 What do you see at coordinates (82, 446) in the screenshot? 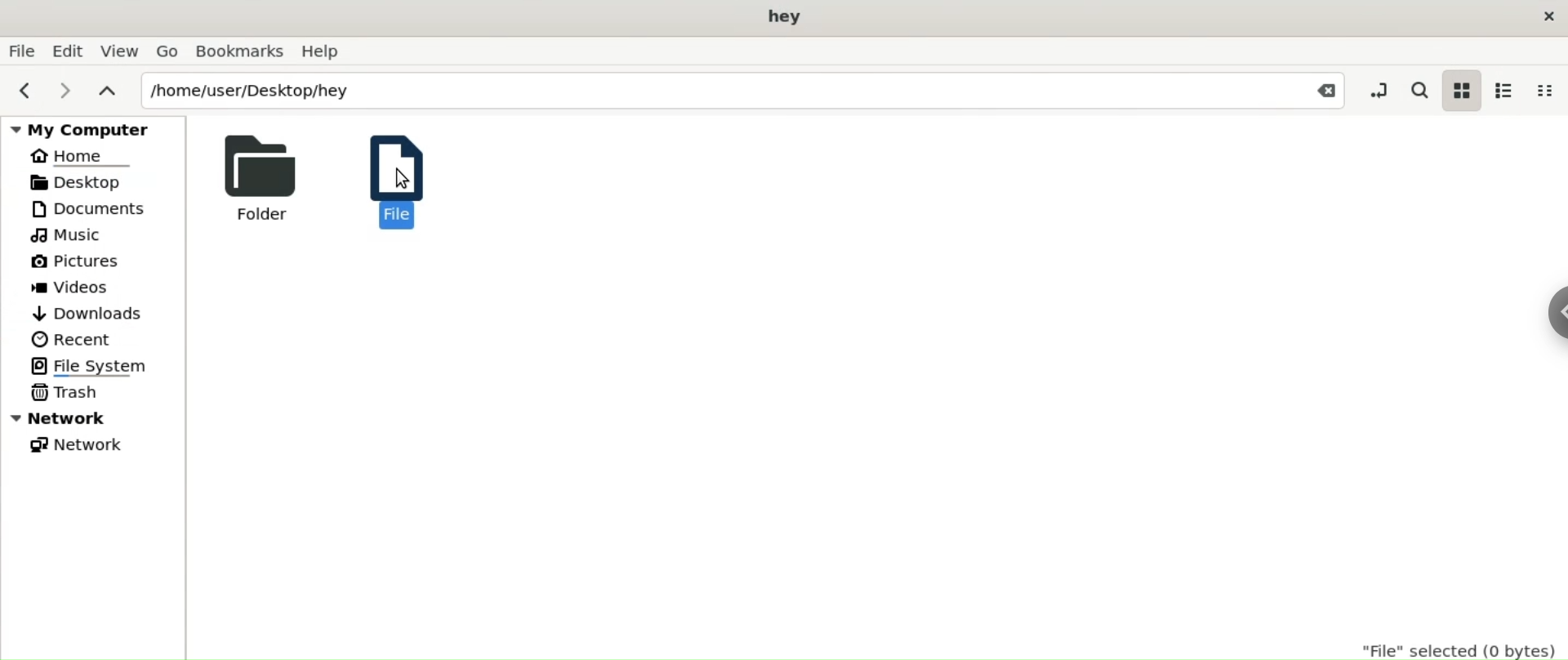
I see `Network` at bounding box center [82, 446].